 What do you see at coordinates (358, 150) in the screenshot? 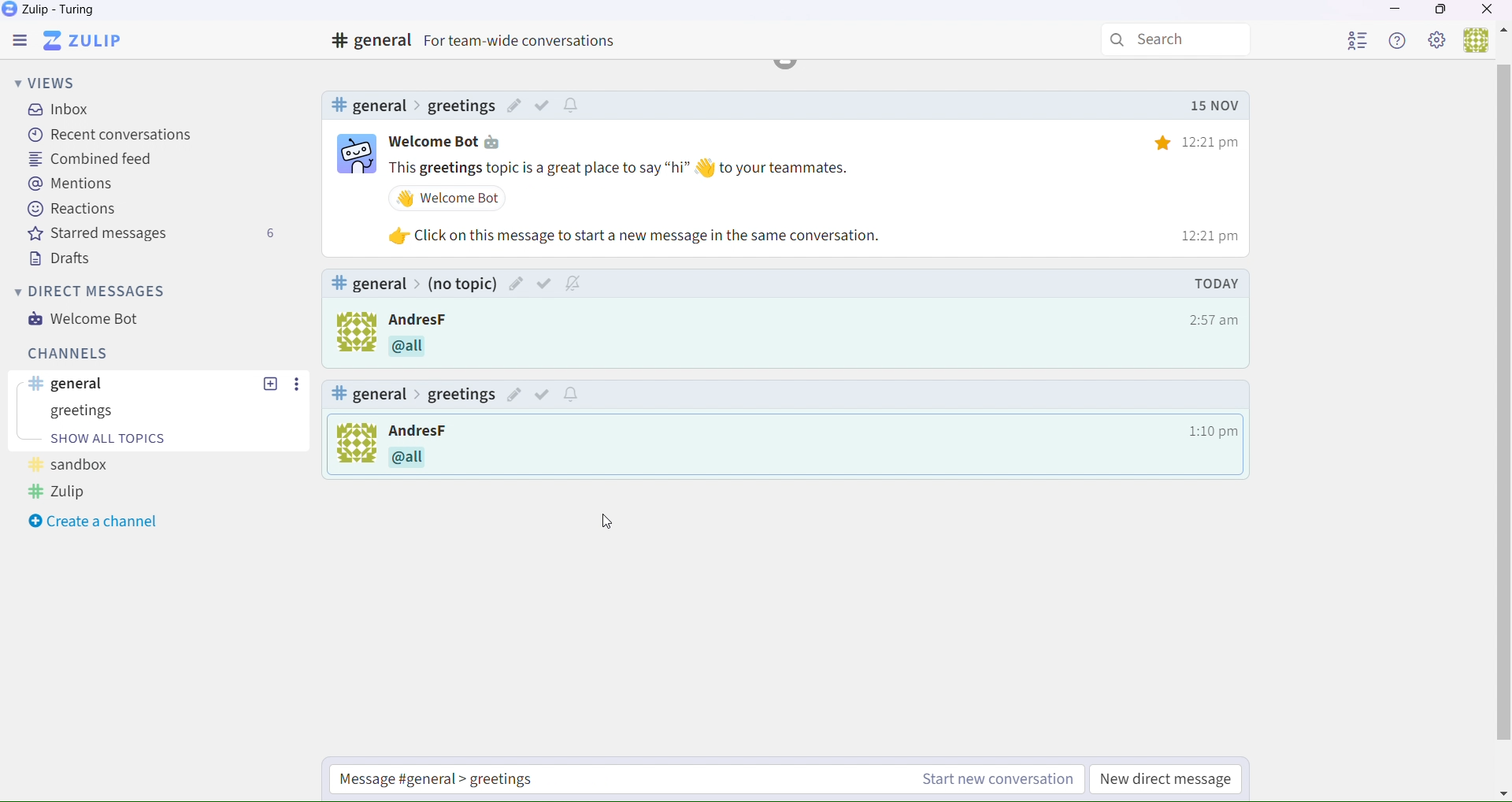
I see `bot logo` at bounding box center [358, 150].